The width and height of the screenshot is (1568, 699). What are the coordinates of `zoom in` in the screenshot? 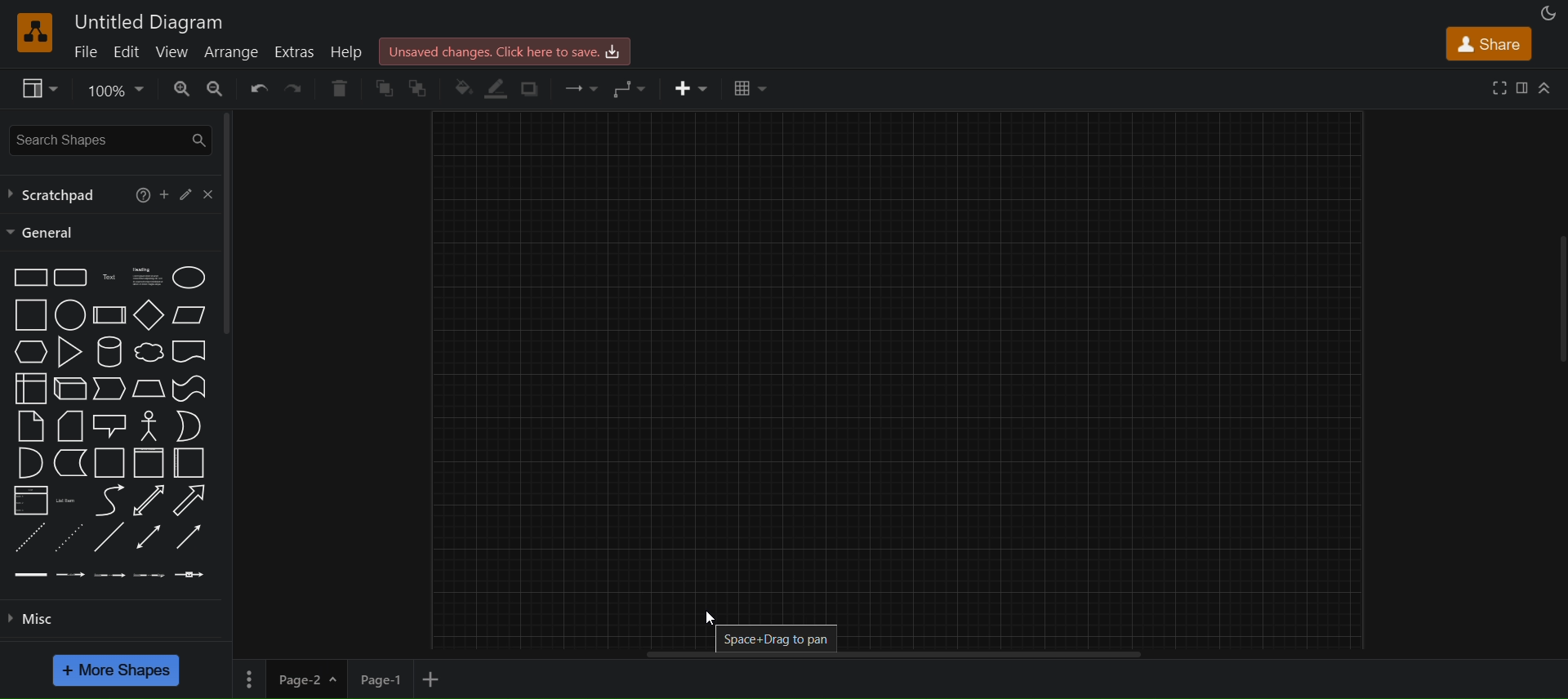 It's located at (182, 88).